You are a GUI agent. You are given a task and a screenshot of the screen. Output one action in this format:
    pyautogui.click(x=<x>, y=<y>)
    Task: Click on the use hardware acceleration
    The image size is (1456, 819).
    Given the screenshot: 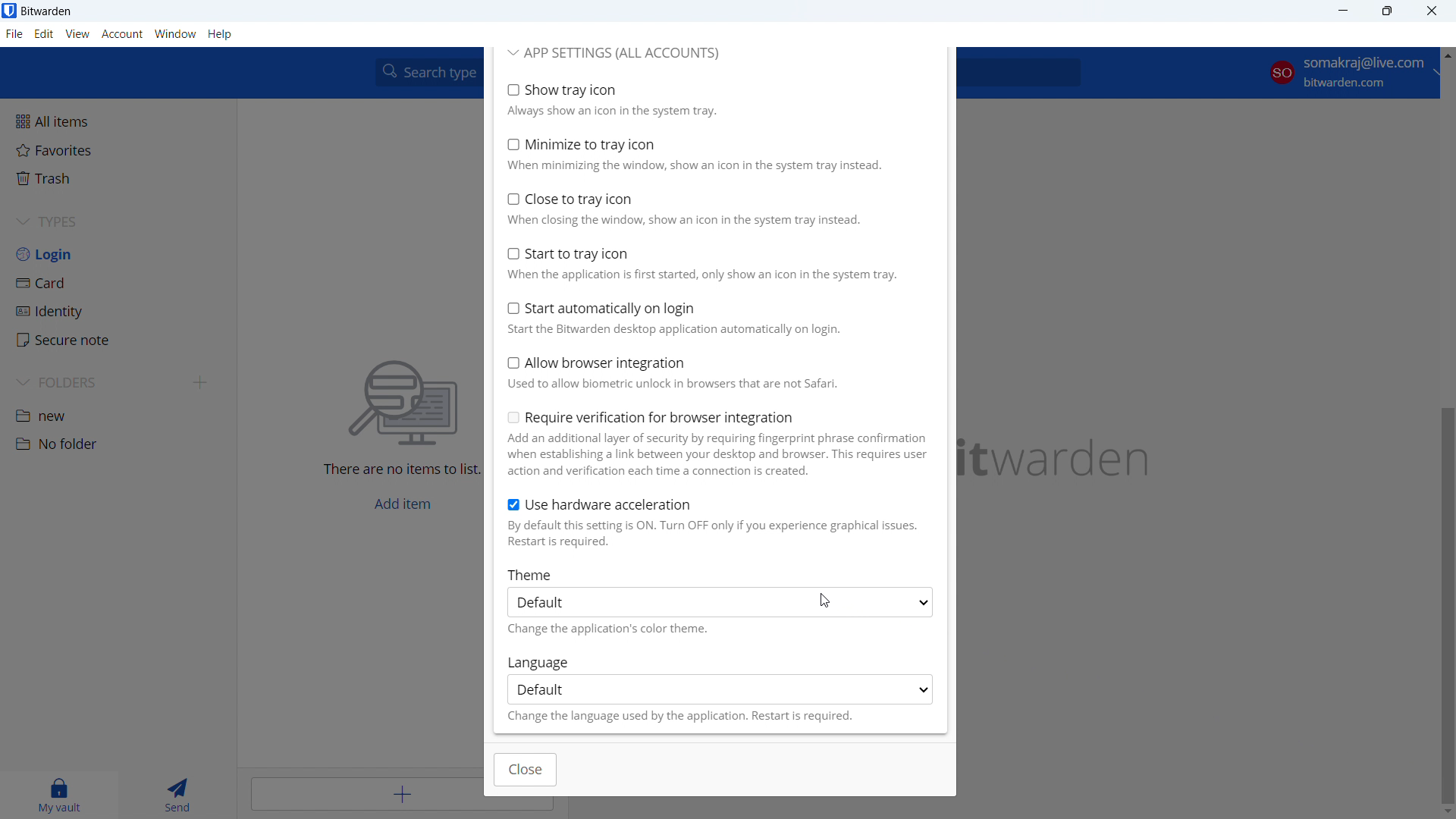 What is the action you would take?
    pyautogui.click(x=717, y=522)
    